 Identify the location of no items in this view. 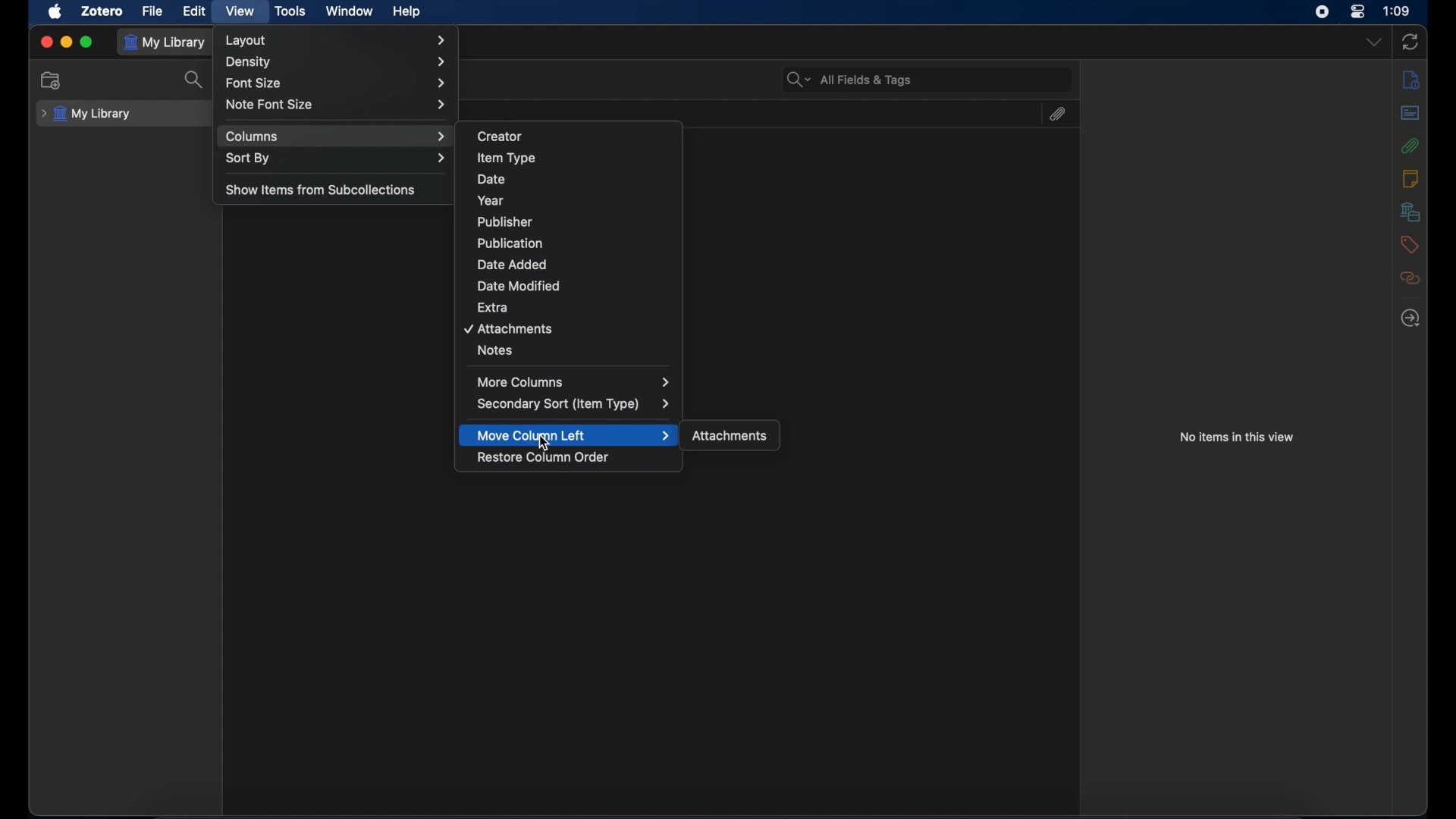
(1238, 437).